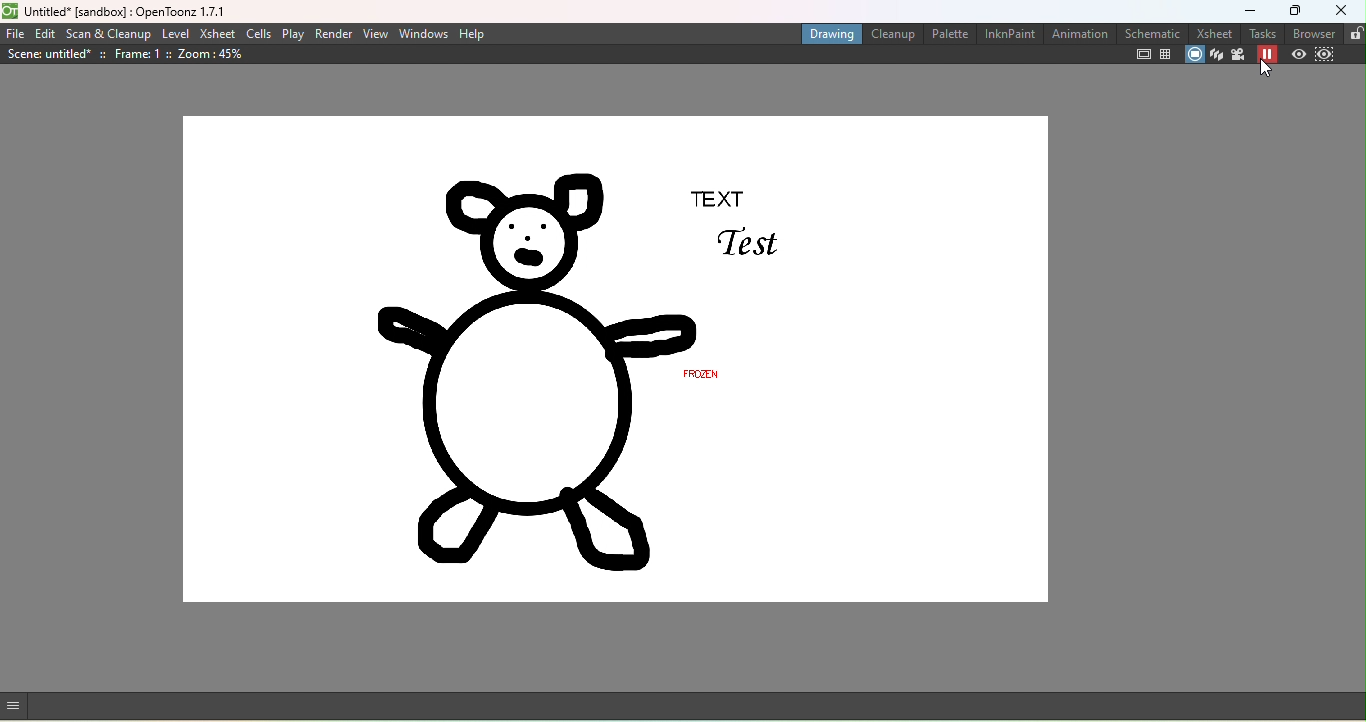 The width and height of the screenshot is (1366, 722). What do you see at coordinates (1267, 70) in the screenshot?
I see `cursor` at bounding box center [1267, 70].